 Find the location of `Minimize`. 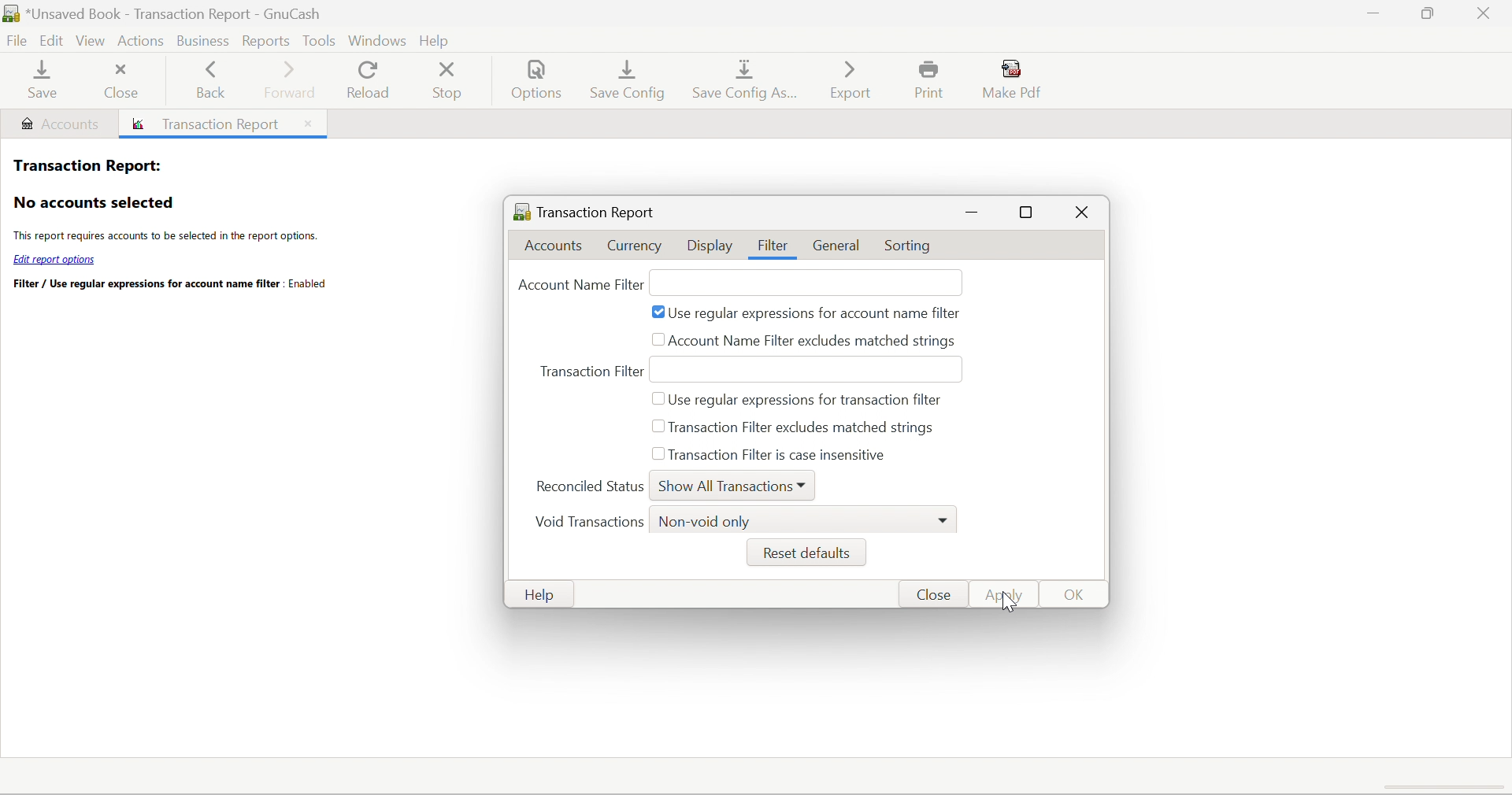

Minimize is located at coordinates (973, 213).